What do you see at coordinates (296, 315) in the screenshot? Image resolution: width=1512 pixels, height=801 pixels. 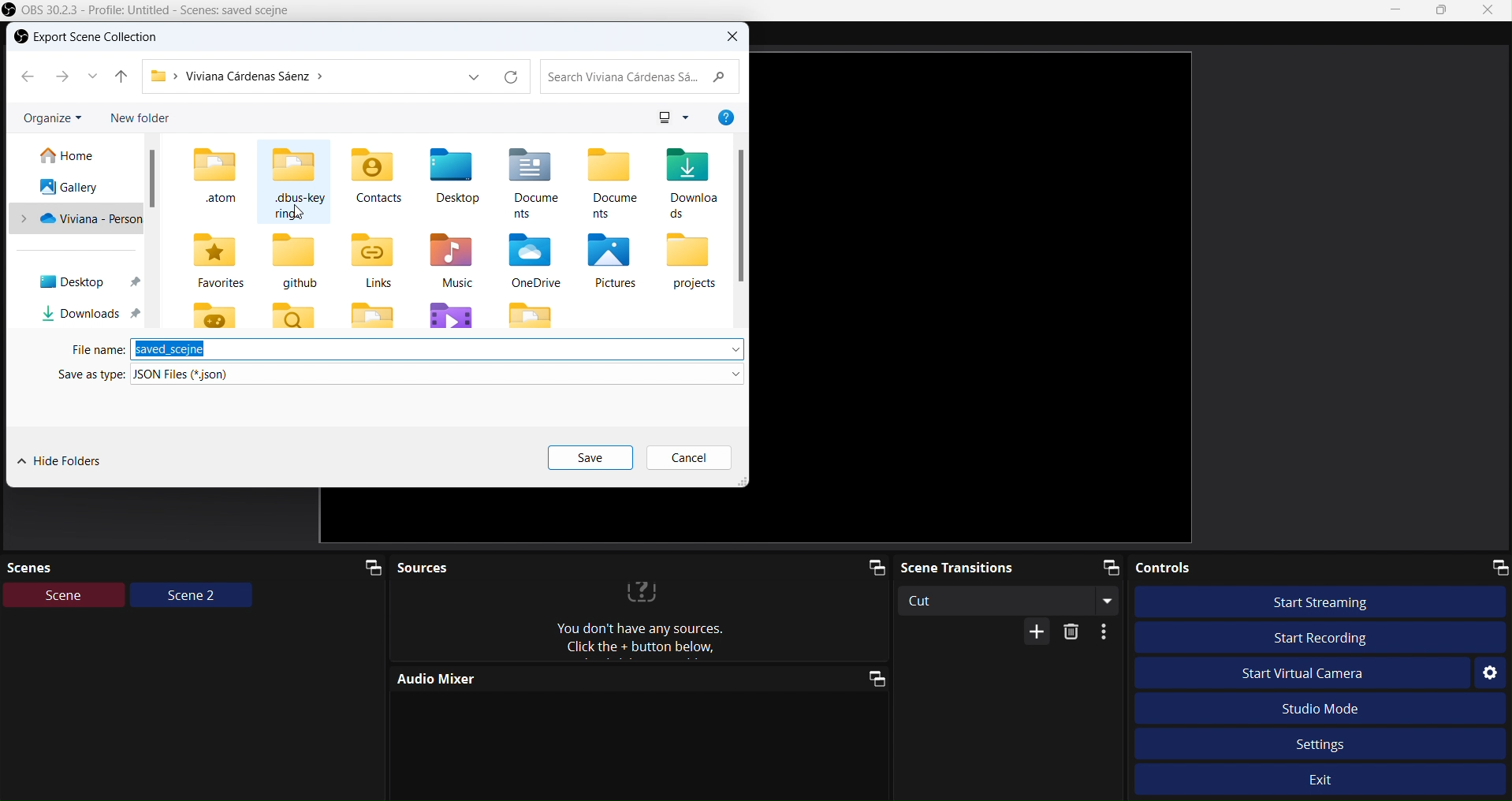 I see `folder` at bounding box center [296, 315].